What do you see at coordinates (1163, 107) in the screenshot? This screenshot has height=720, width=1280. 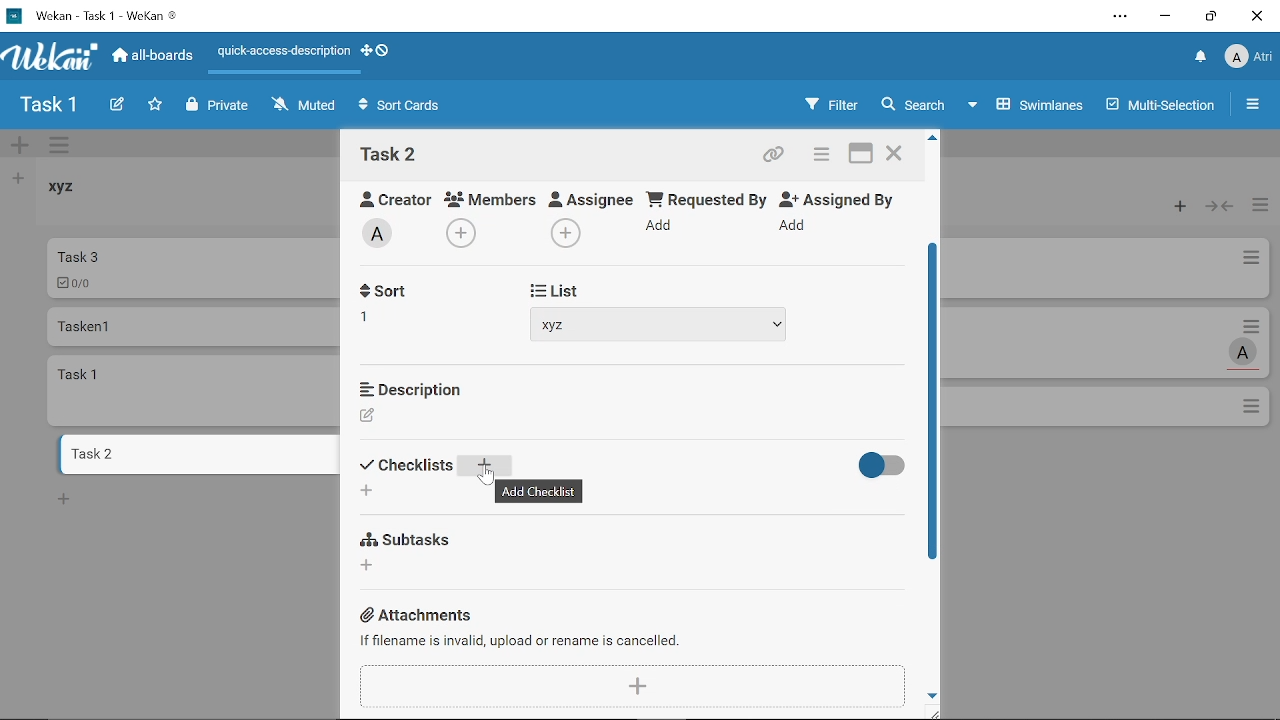 I see `Multilanes` at bounding box center [1163, 107].